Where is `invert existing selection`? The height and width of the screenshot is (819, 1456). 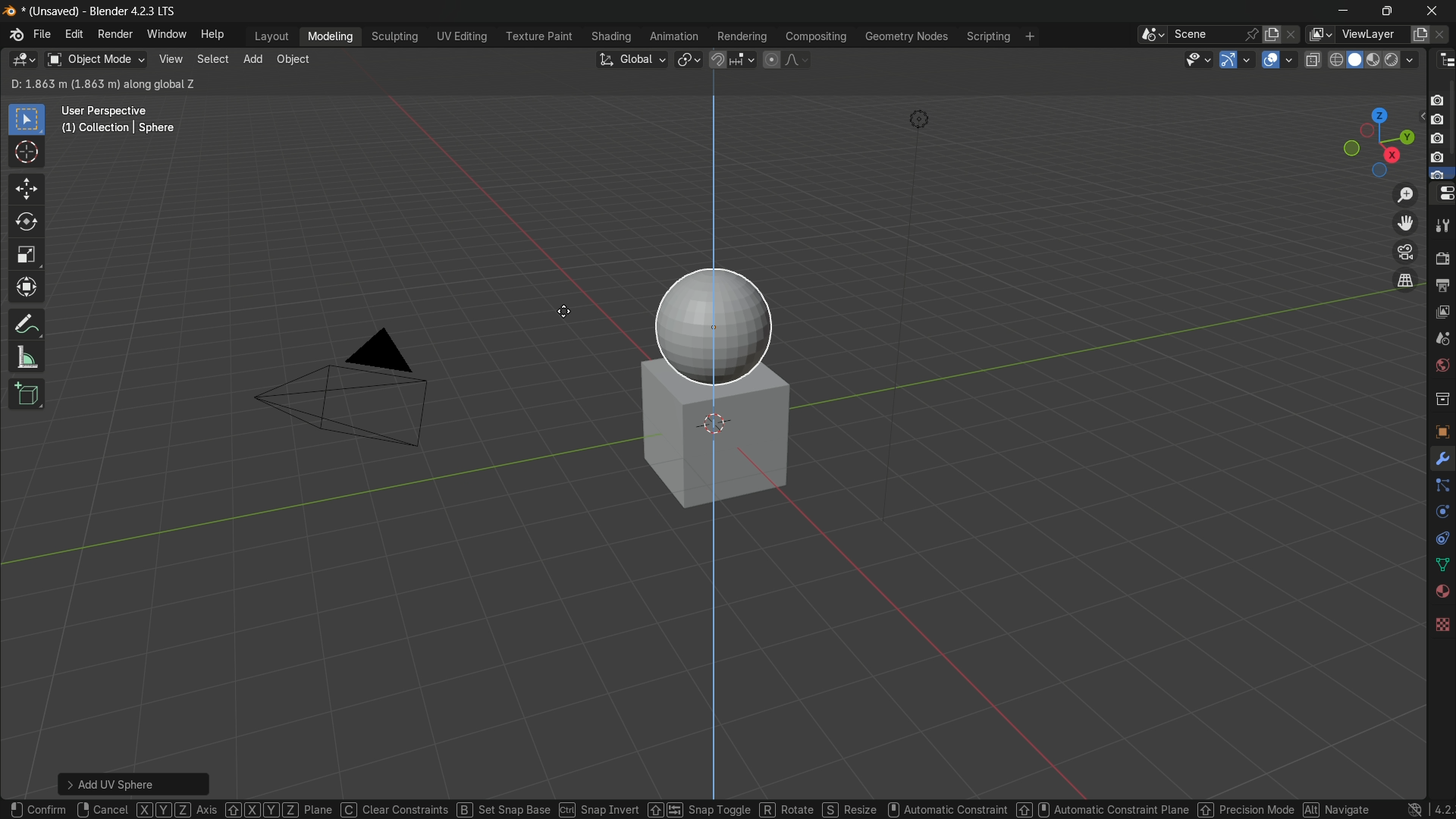
invert existing selection is located at coordinates (76, 83).